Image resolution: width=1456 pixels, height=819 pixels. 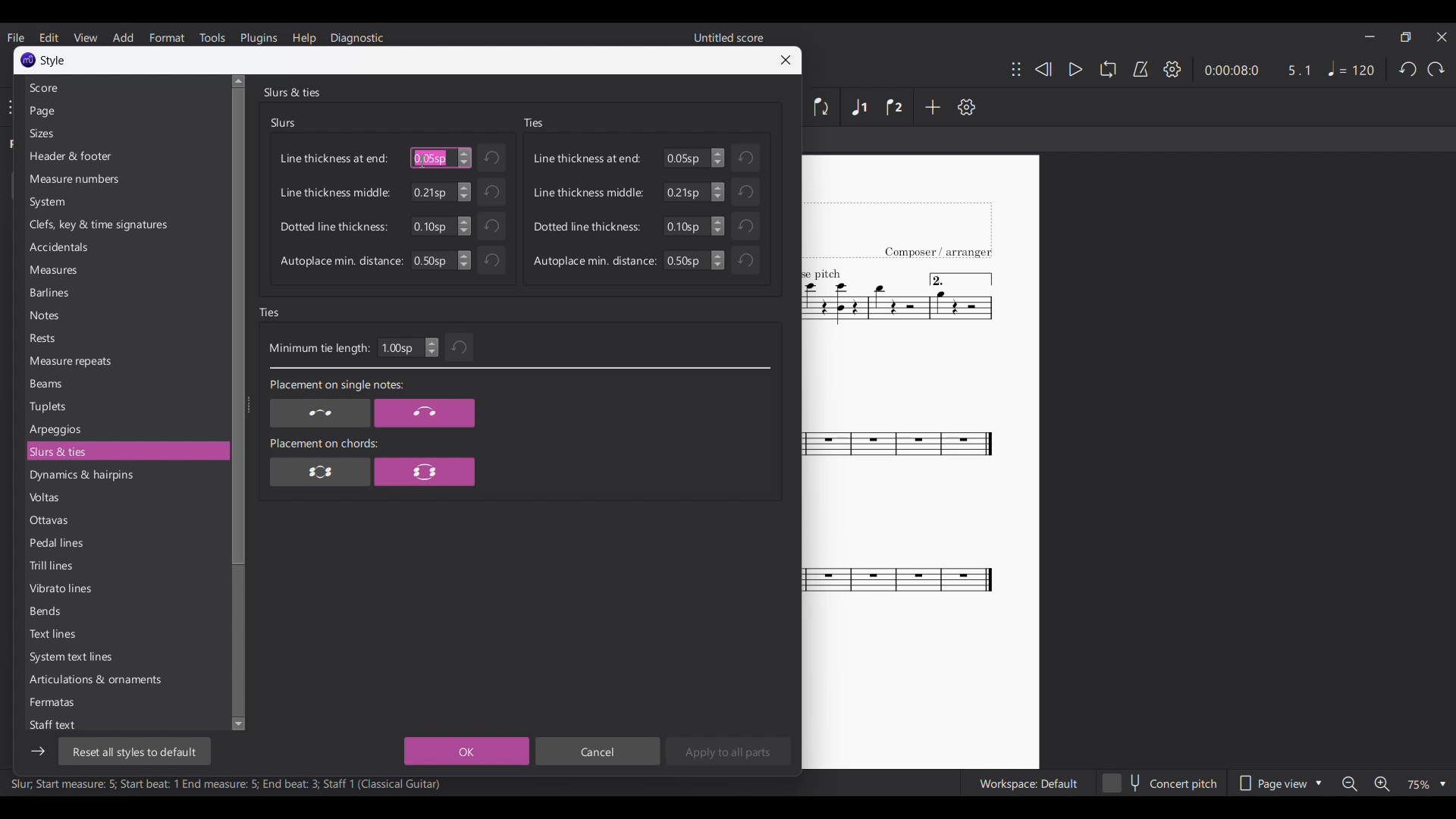 What do you see at coordinates (259, 37) in the screenshot?
I see `Plugins menu` at bounding box center [259, 37].